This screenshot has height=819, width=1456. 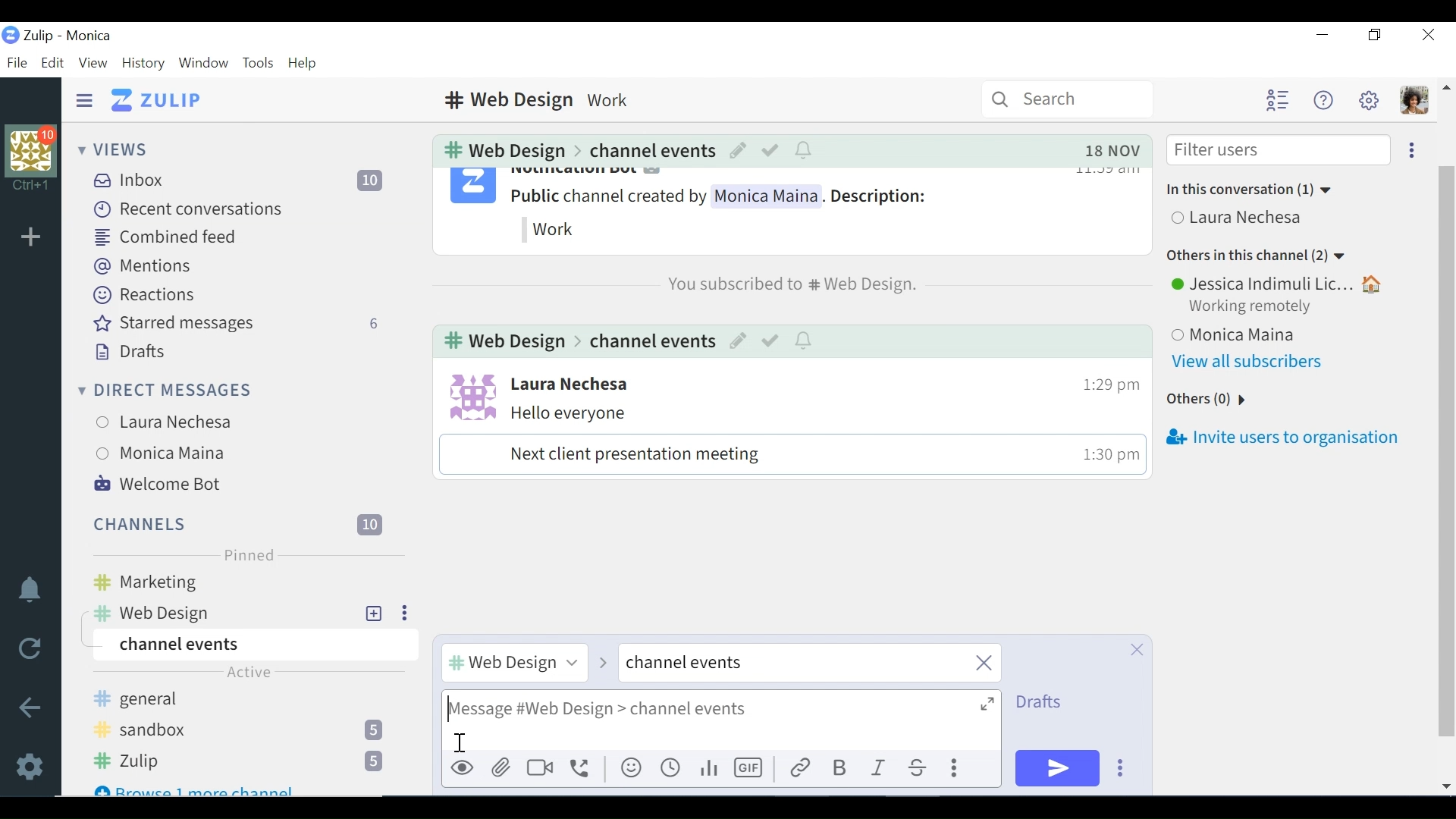 What do you see at coordinates (10, 35) in the screenshot?
I see `Zulip logo` at bounding box center [10, 35].